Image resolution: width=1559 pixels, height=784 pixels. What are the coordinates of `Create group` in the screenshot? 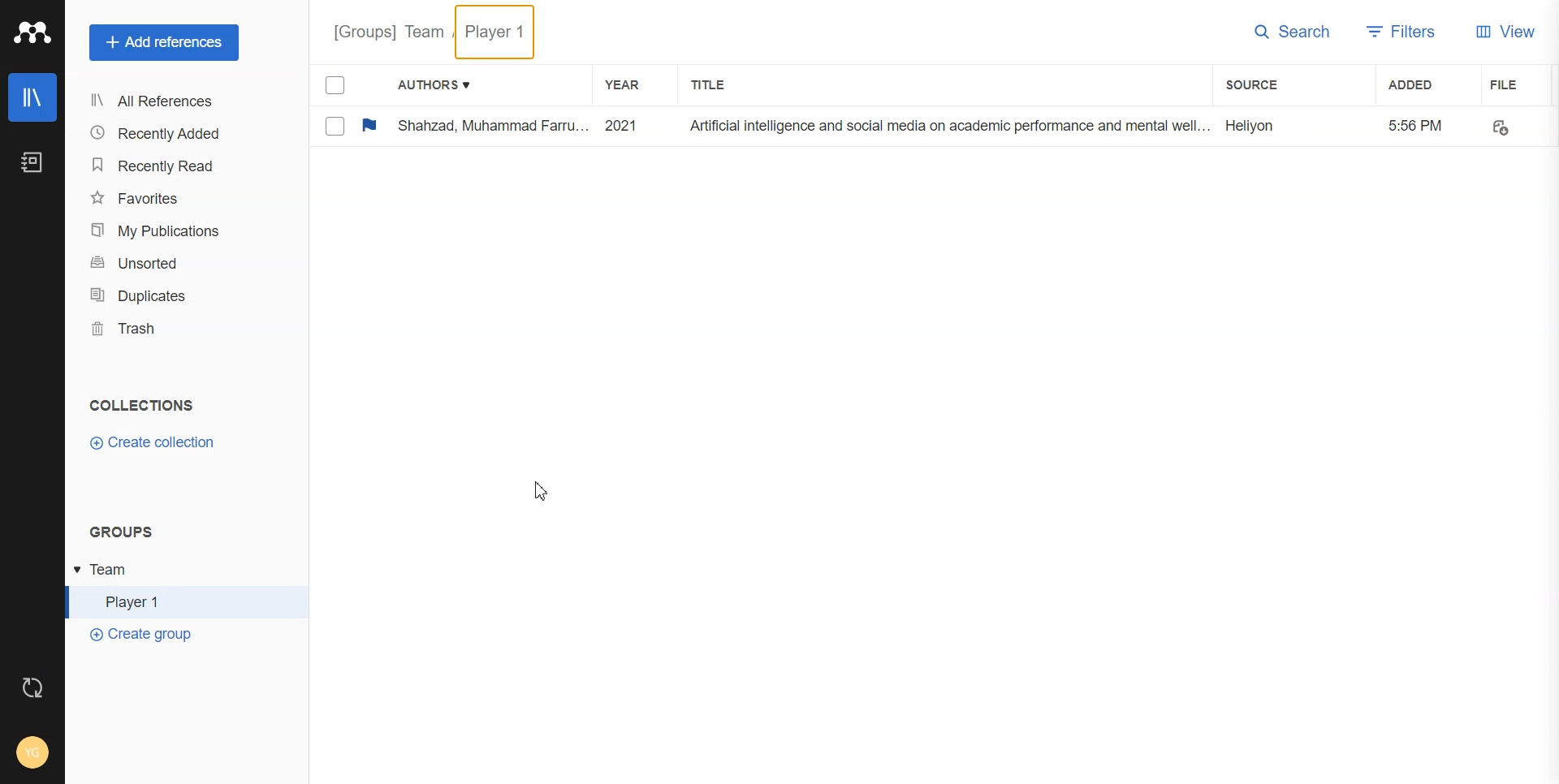 It's located at (142, 635).